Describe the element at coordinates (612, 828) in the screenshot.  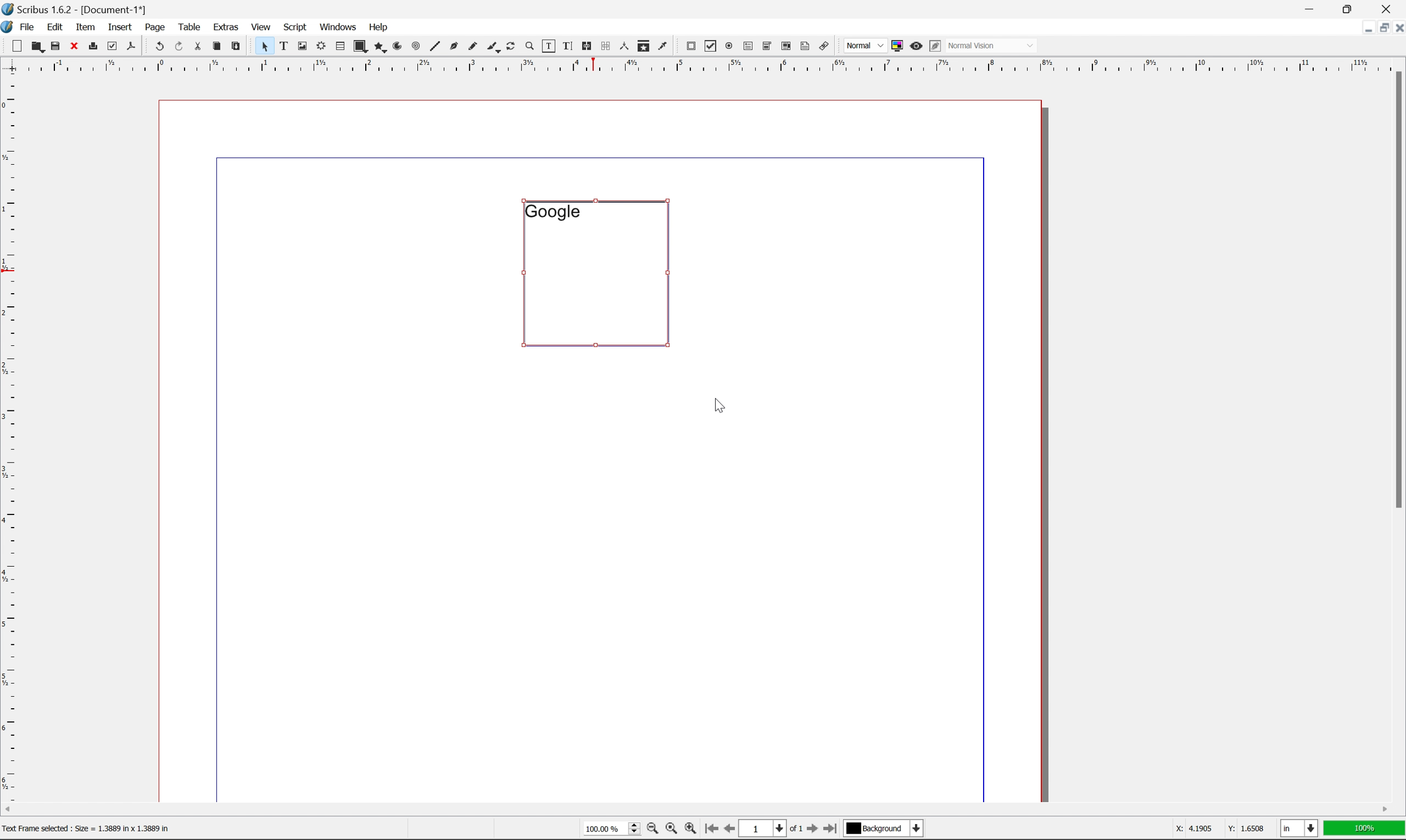
I see `select current zoom level` at that location.